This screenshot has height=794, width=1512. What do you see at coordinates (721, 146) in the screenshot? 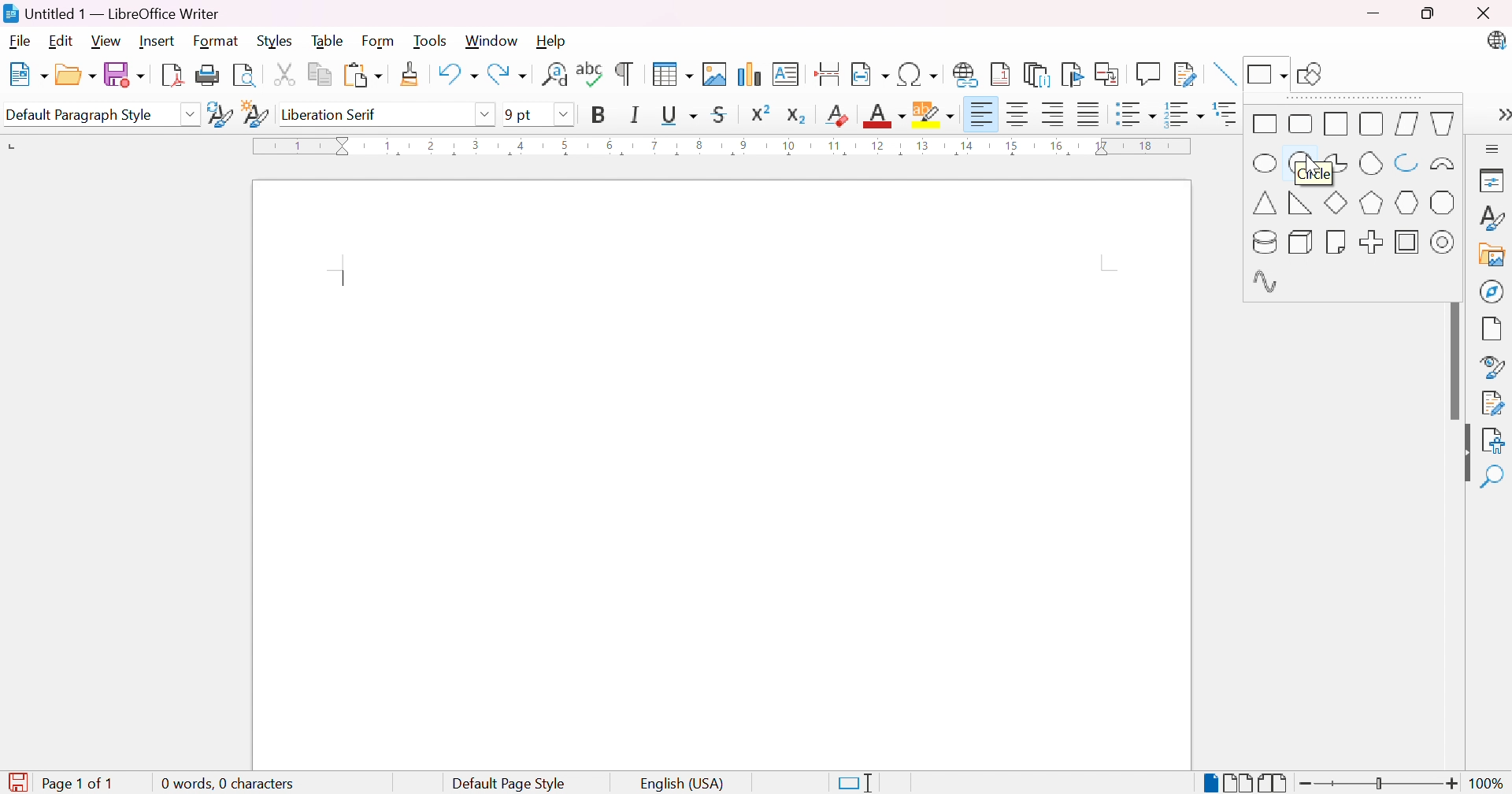
I see `Scale` at bounding box center [721, 146].